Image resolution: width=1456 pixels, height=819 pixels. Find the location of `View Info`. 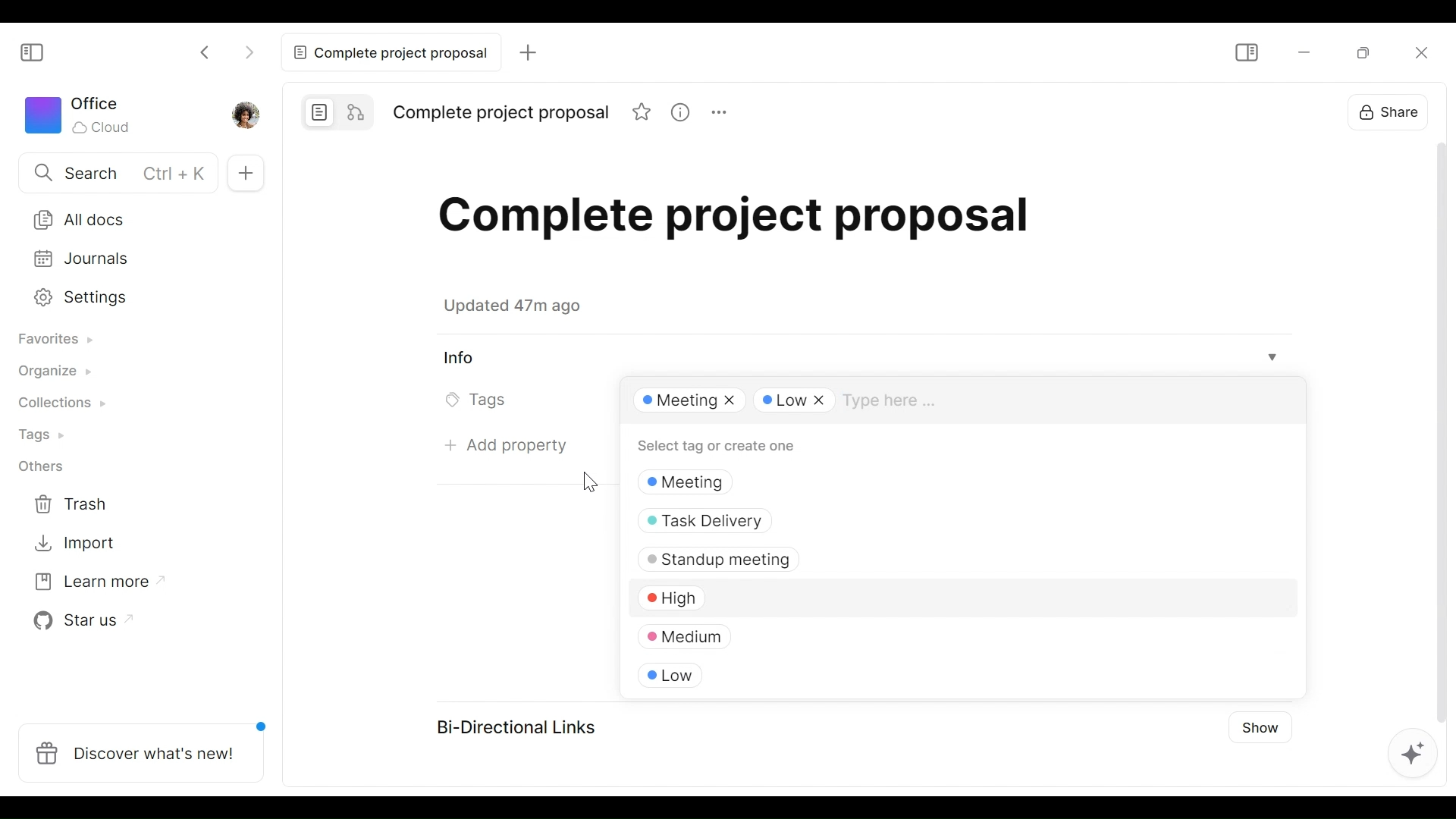

View Info is located at coordinates (863, 358).